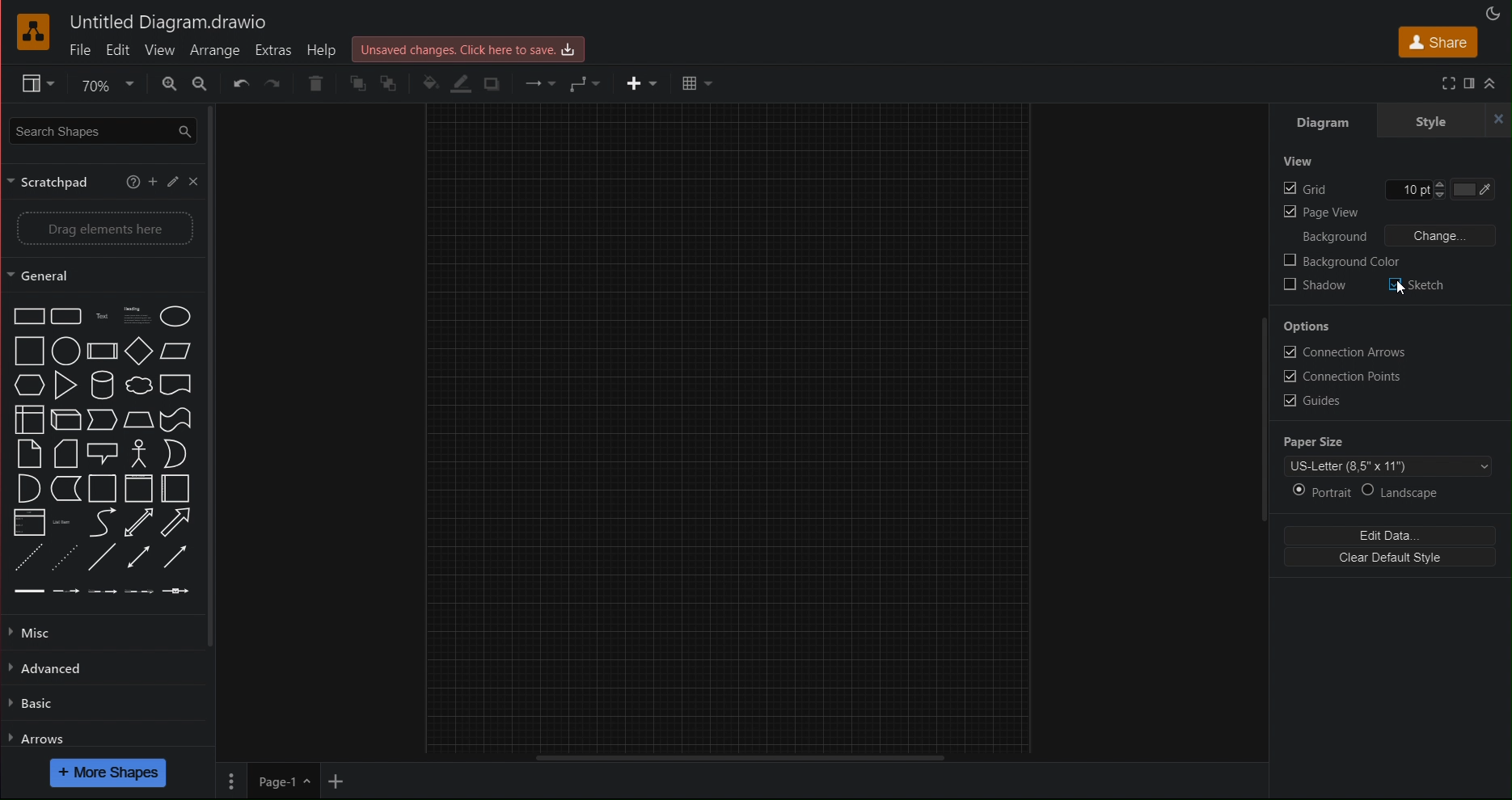  I want to click on General, so click(97, 276).